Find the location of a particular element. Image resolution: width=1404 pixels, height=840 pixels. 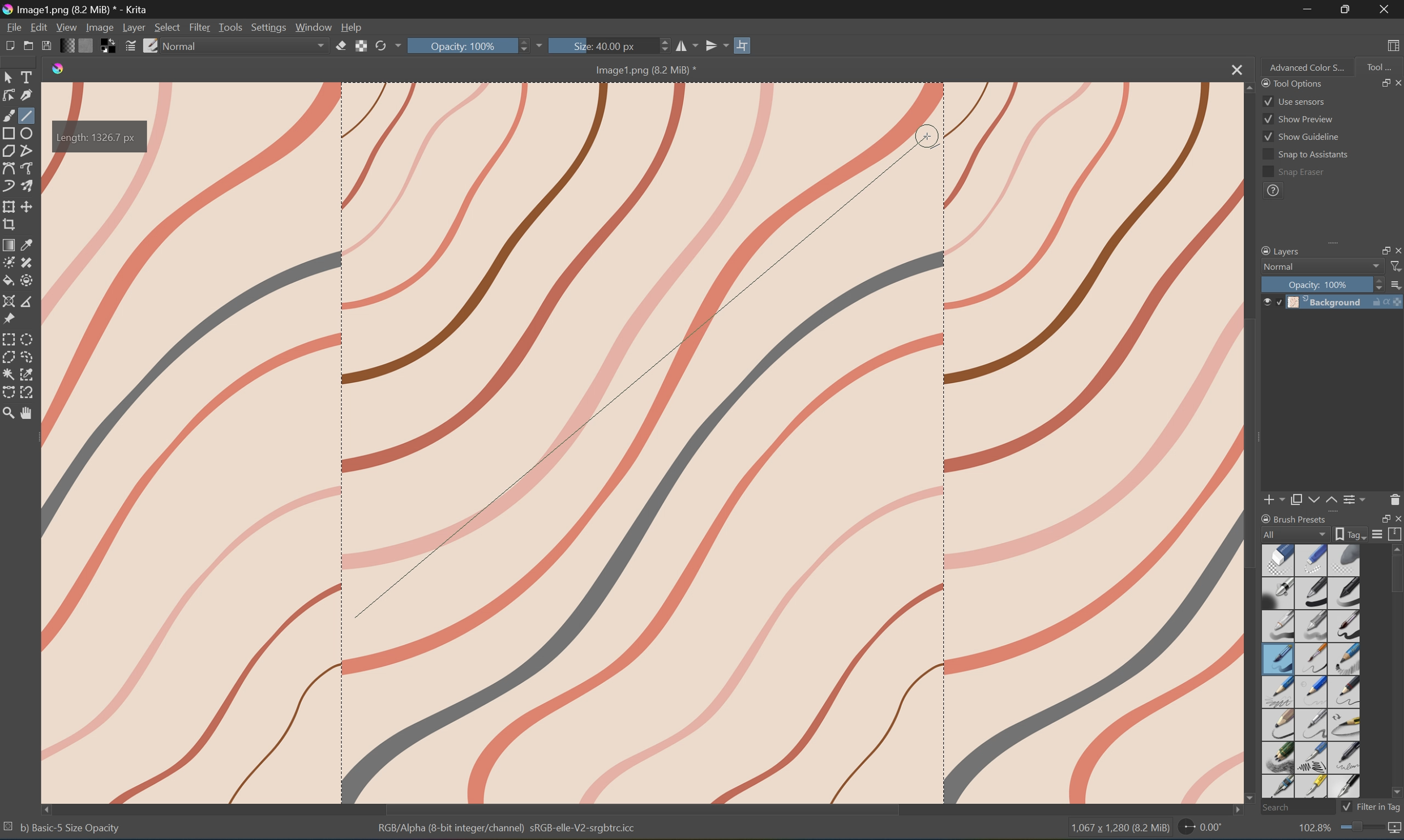

Thumbnail is located at coordinates (1395, 284).